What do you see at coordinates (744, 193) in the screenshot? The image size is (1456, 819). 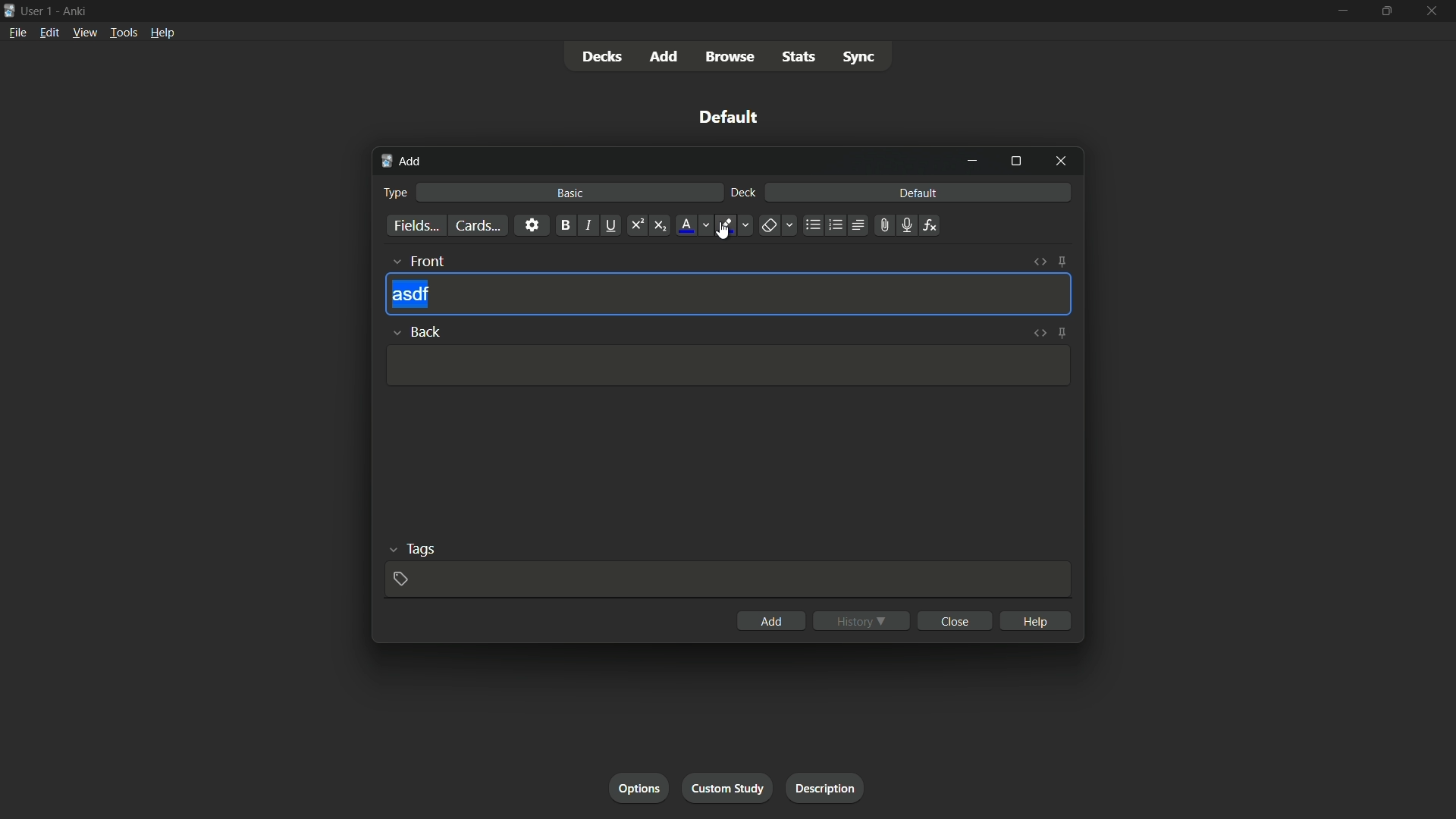 I see `deck` at bounding box center [744, 193].